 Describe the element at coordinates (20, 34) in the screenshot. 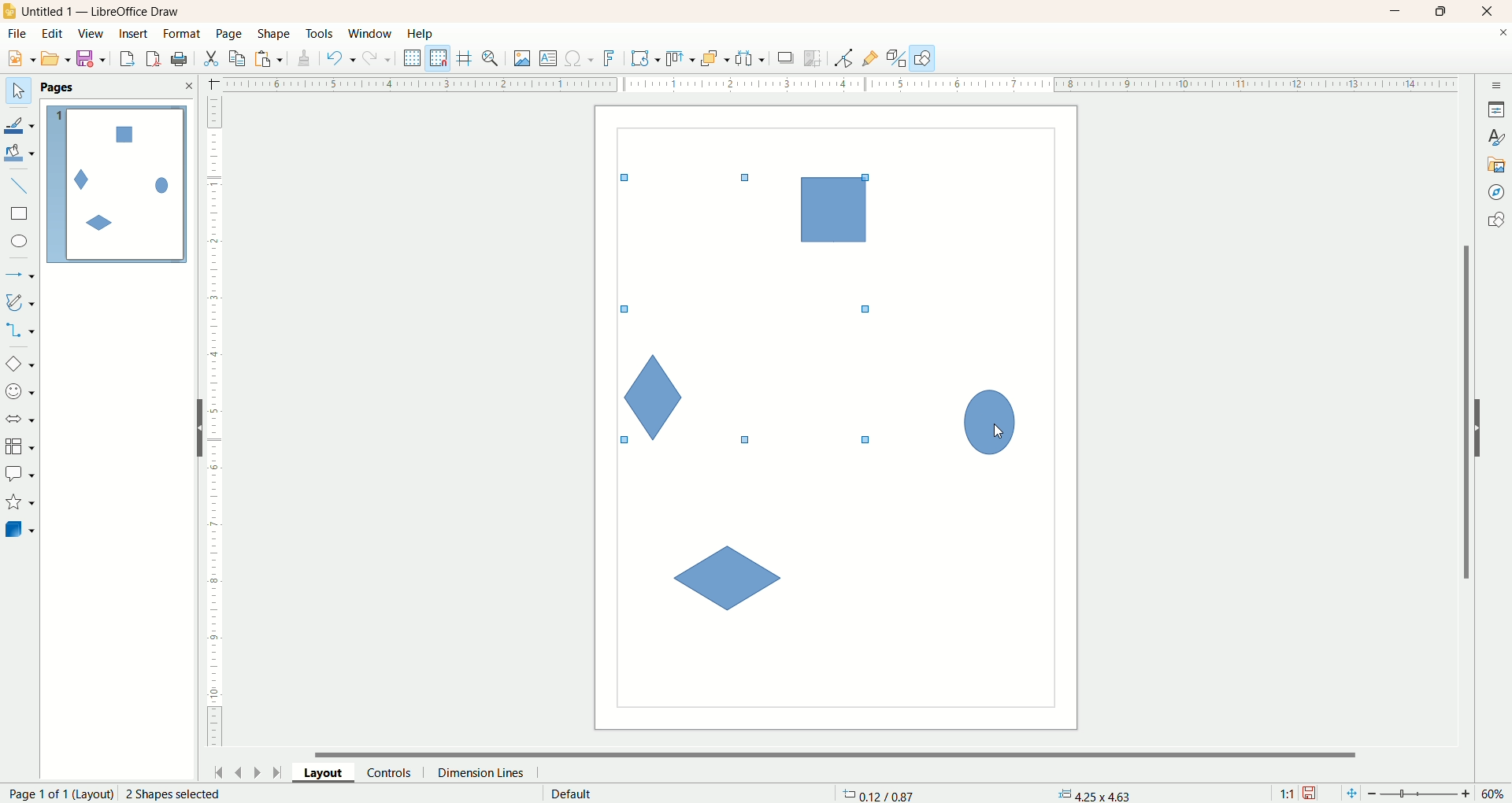

I see `file` at that location.